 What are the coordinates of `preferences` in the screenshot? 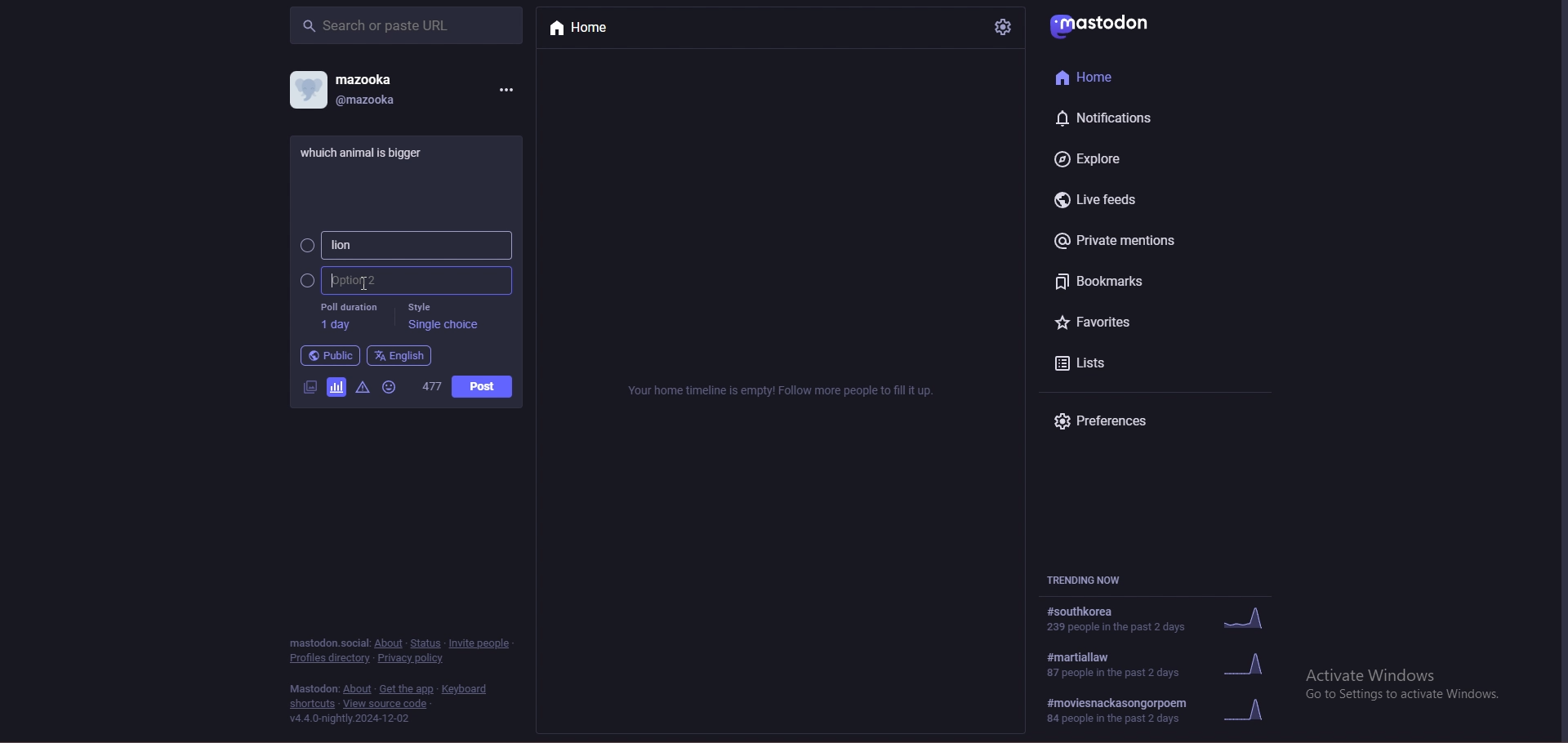 It's located at (1119, 422).